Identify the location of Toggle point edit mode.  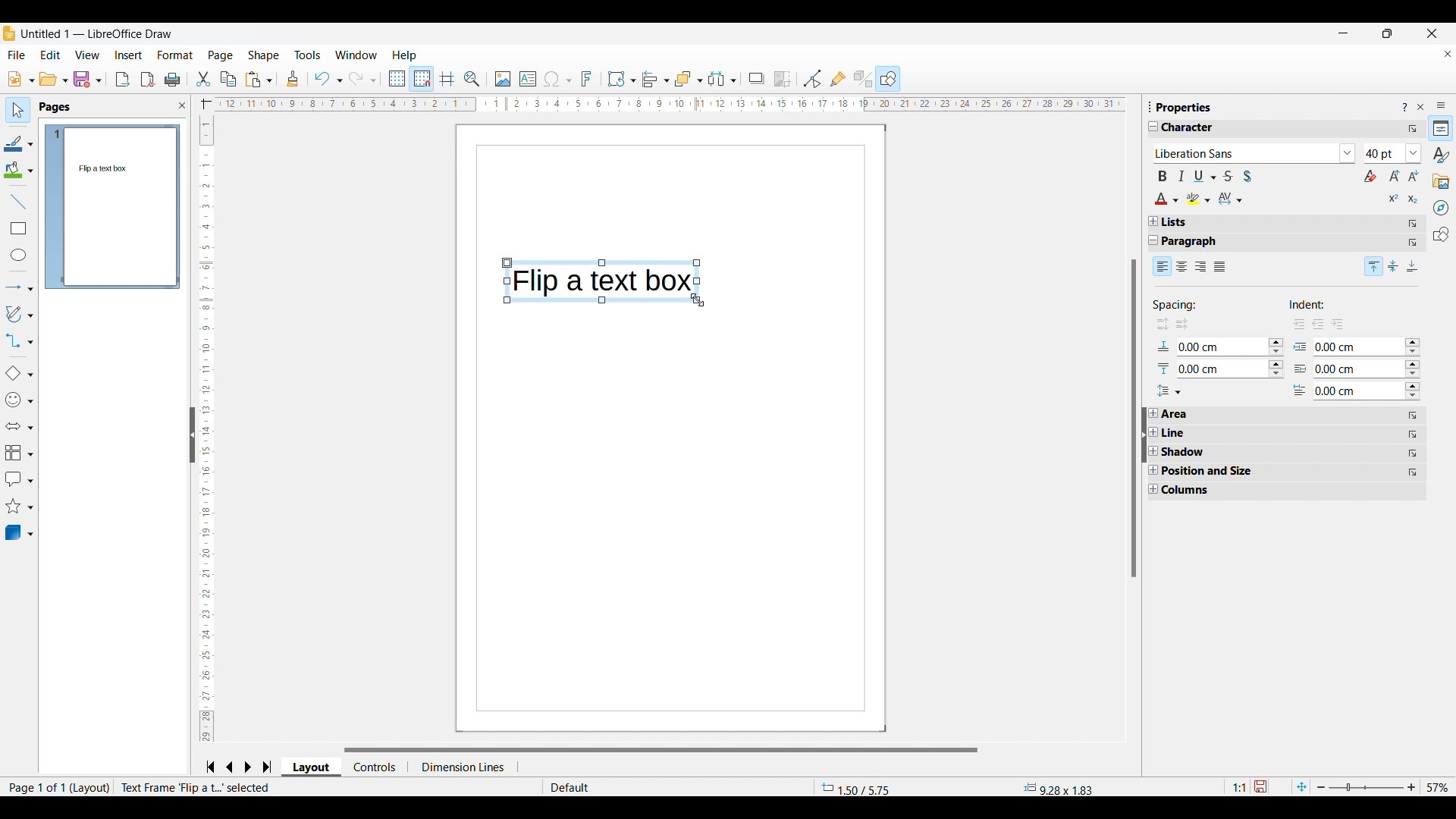
(812, 79).